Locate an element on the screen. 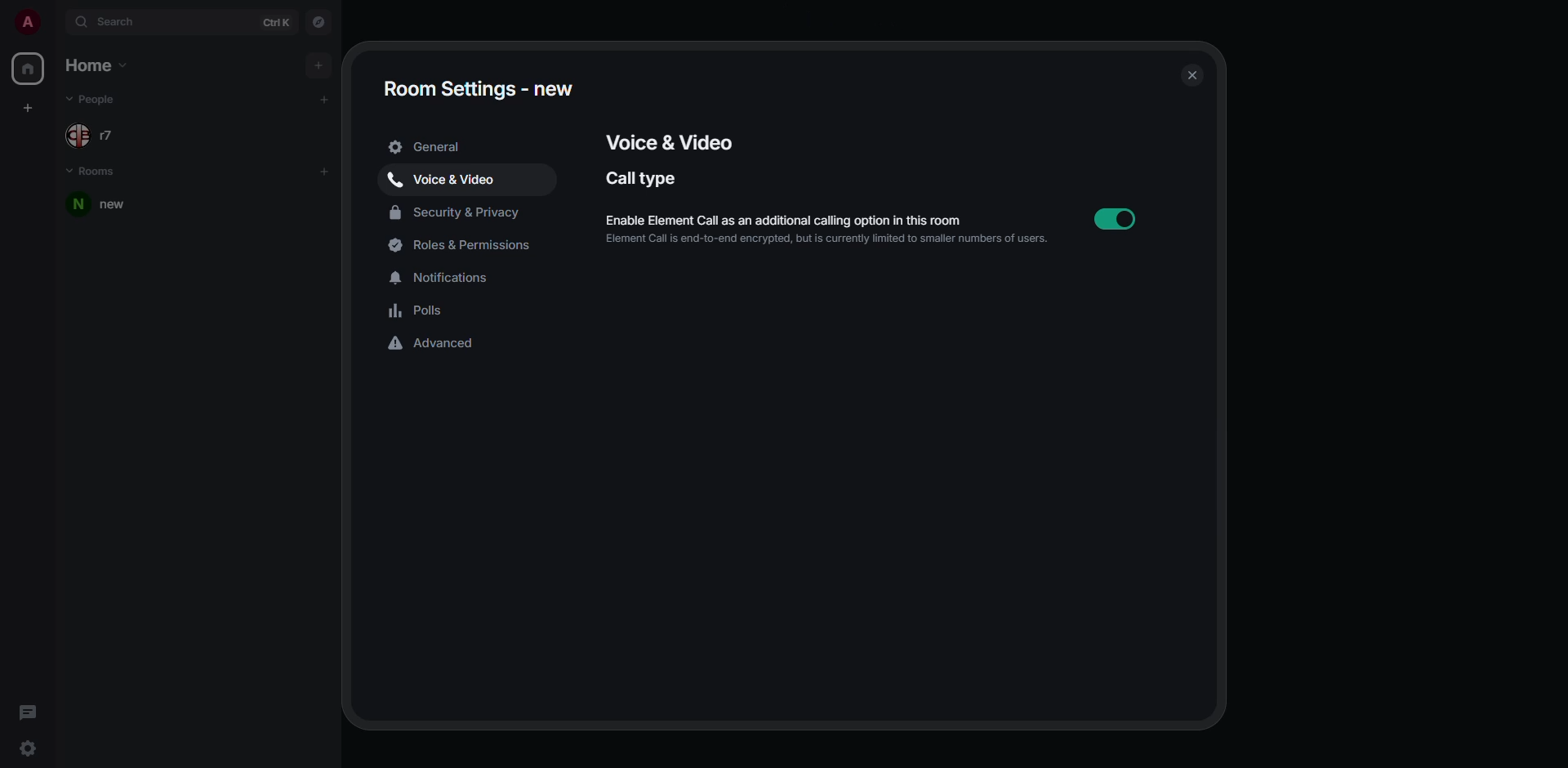 The image size is (1568, 768). navigator is located at coordinates (317, 20).